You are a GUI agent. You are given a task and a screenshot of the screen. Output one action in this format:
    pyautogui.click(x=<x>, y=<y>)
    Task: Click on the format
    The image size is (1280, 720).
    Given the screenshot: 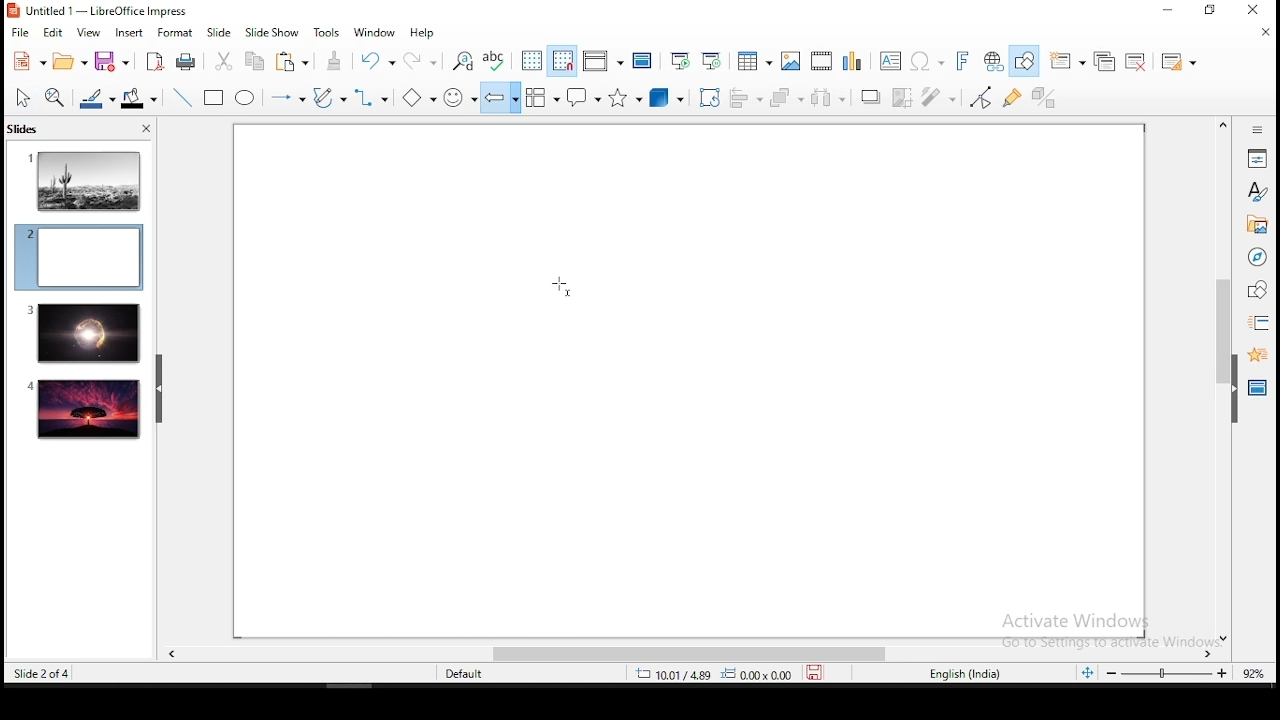 What is the action you would take?
    pyautogui.click(x=174, y=32)
    